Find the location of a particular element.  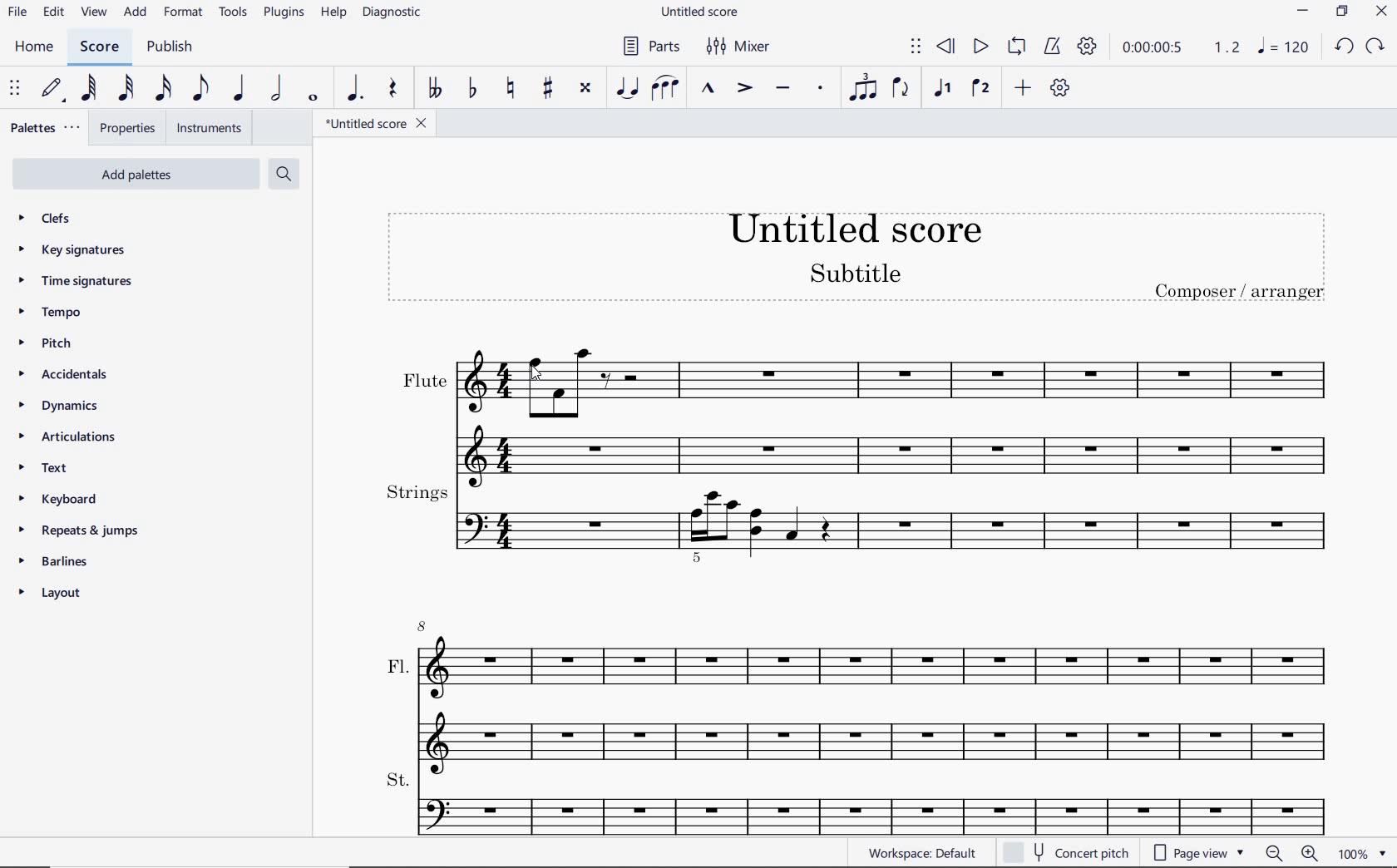

TOGGLE DOUBLE-FLAT is located at coordinates (435, 89).